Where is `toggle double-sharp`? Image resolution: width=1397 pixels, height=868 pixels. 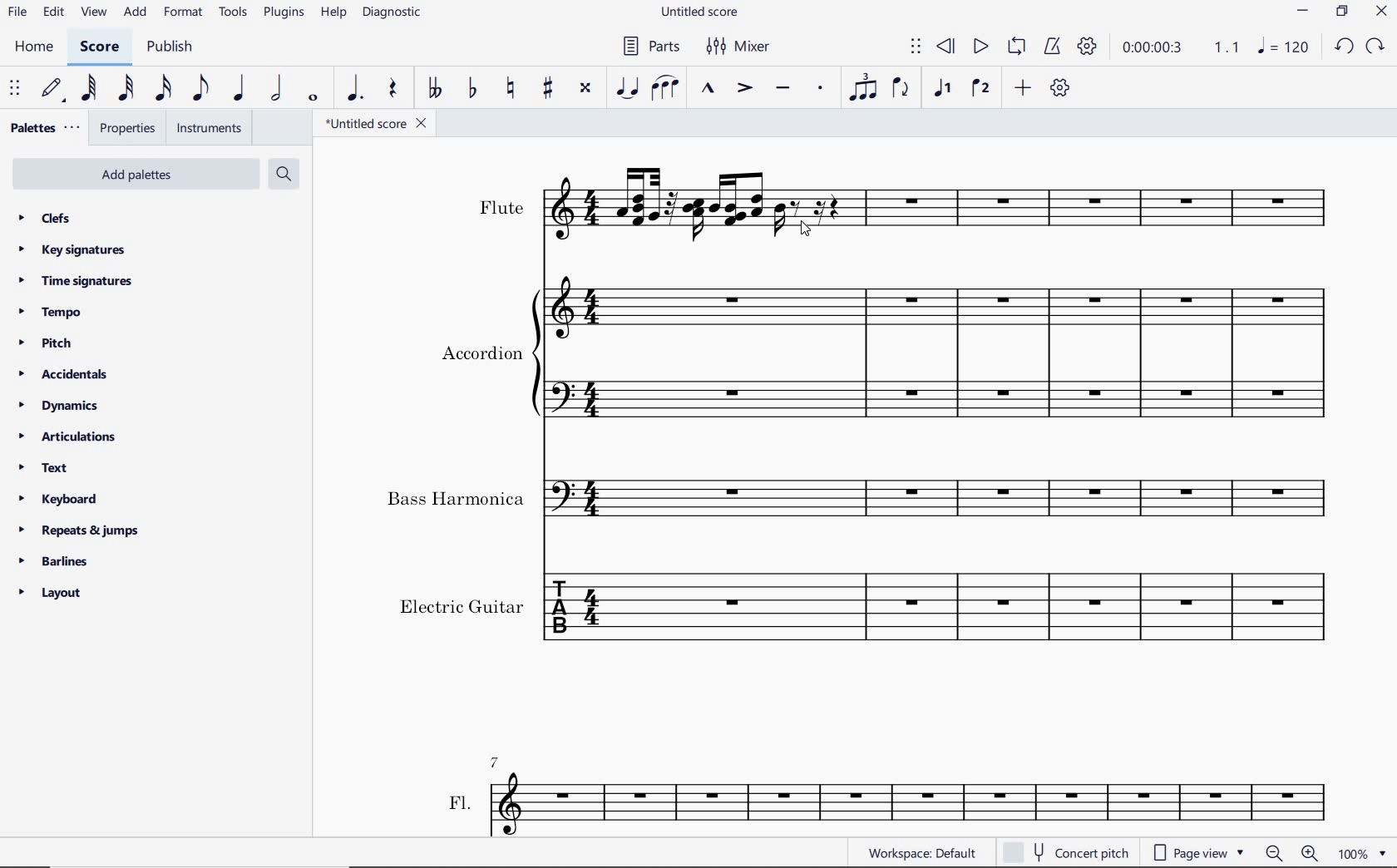 toggle double-sharp is located at coordinates (585, 88).